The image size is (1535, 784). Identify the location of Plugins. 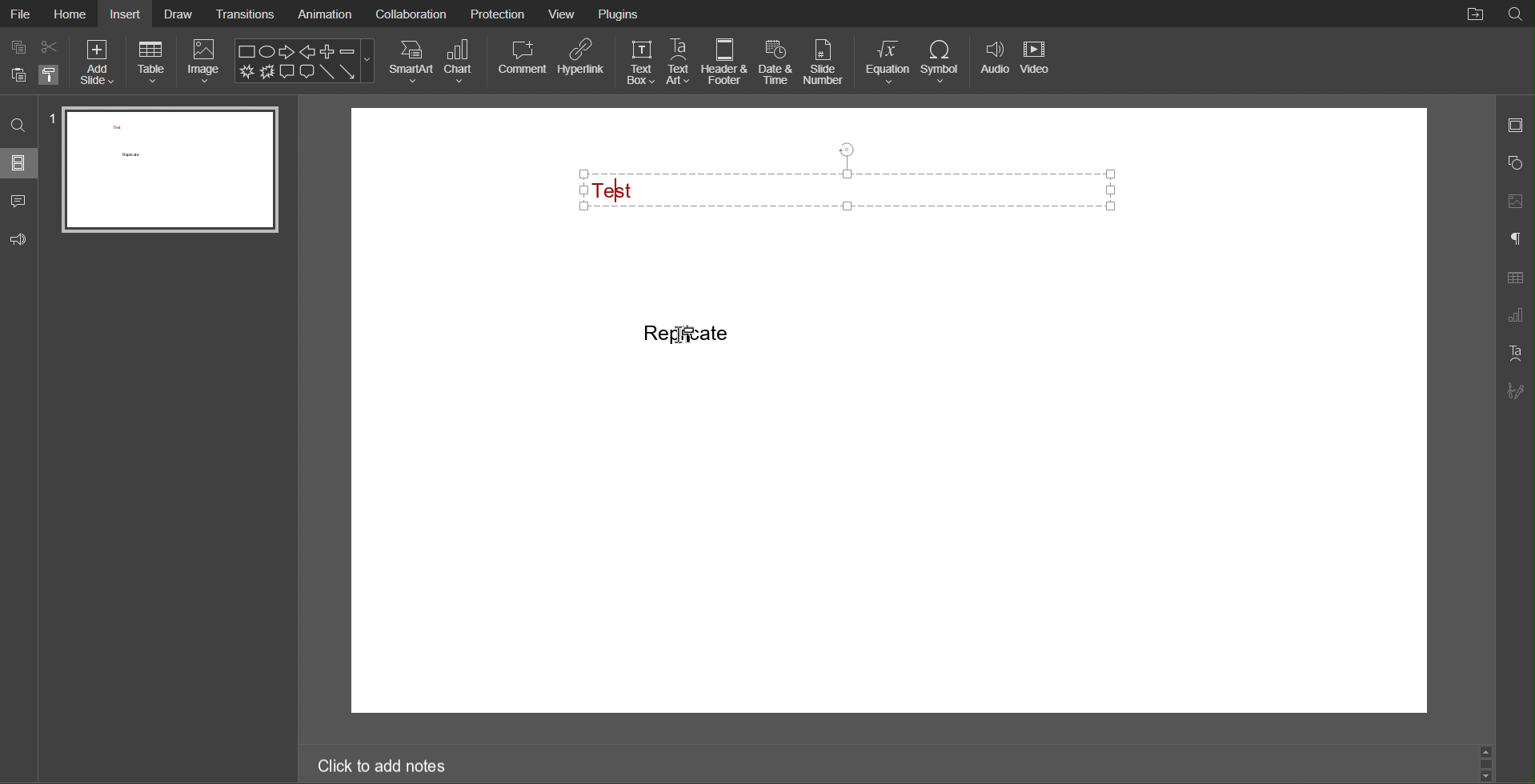
(619, 15).